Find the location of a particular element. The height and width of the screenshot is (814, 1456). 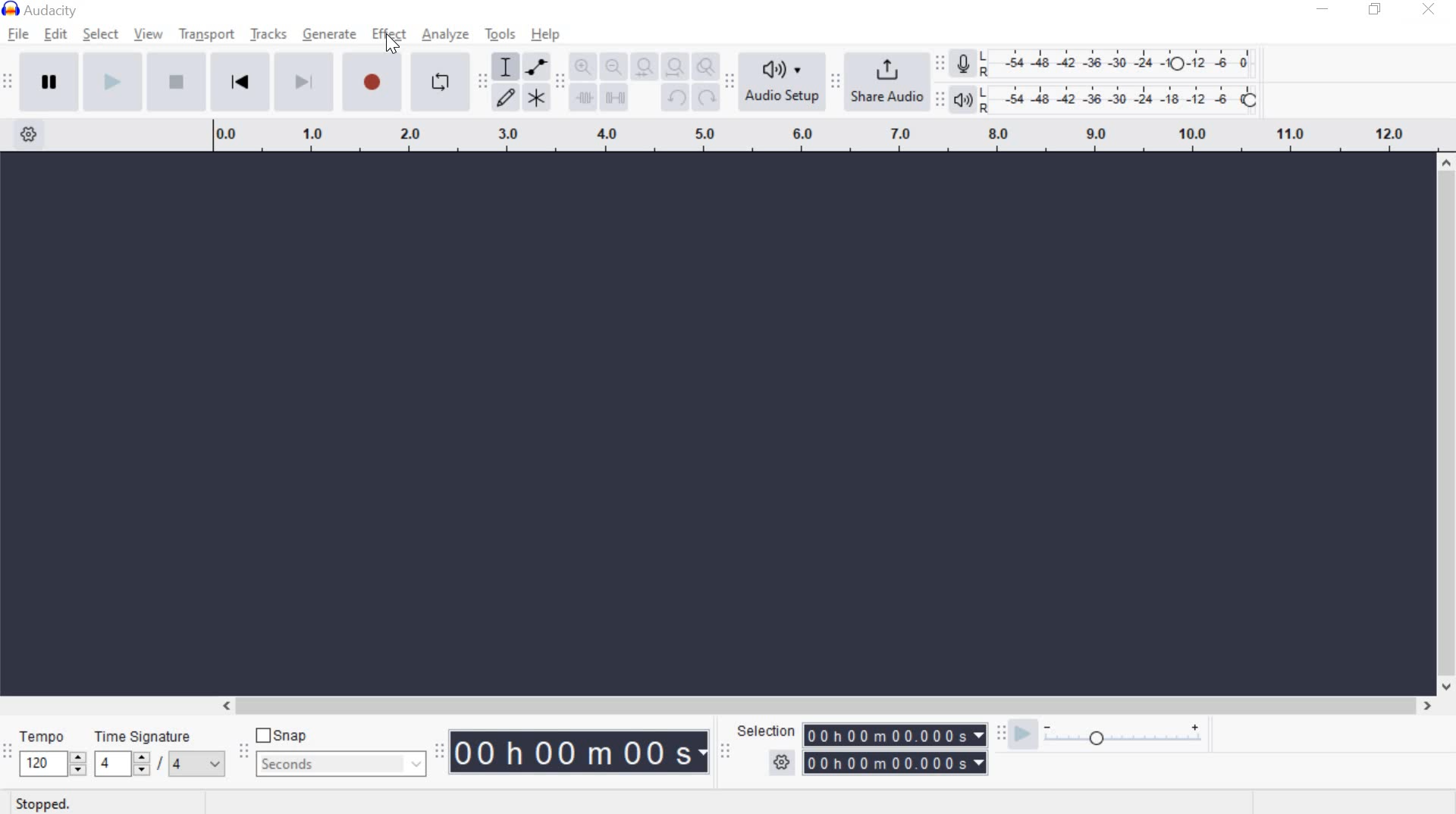

close is located at coordinates (1432, 11).